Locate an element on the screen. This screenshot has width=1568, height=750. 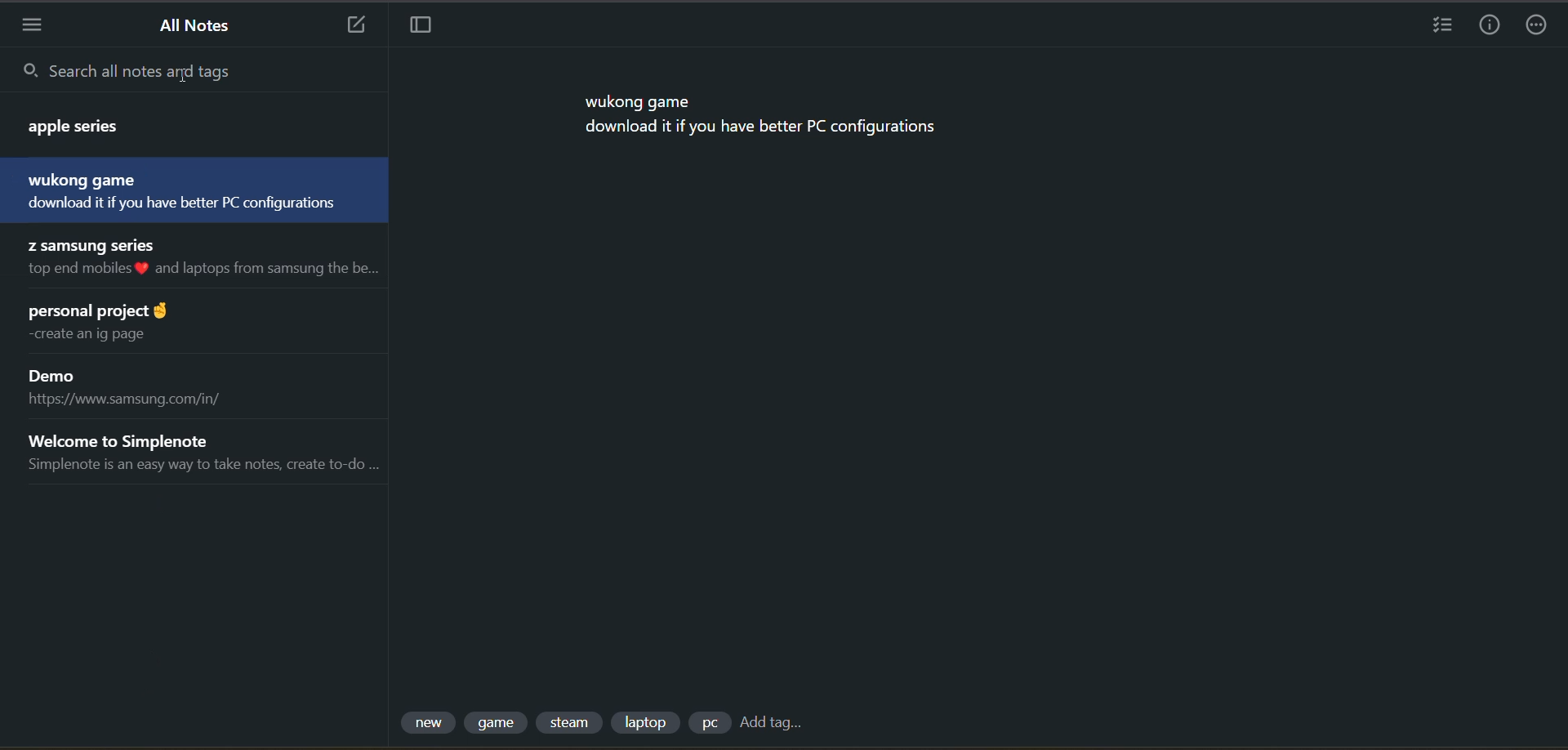
tag 2 is located at coordinates (500, 721).